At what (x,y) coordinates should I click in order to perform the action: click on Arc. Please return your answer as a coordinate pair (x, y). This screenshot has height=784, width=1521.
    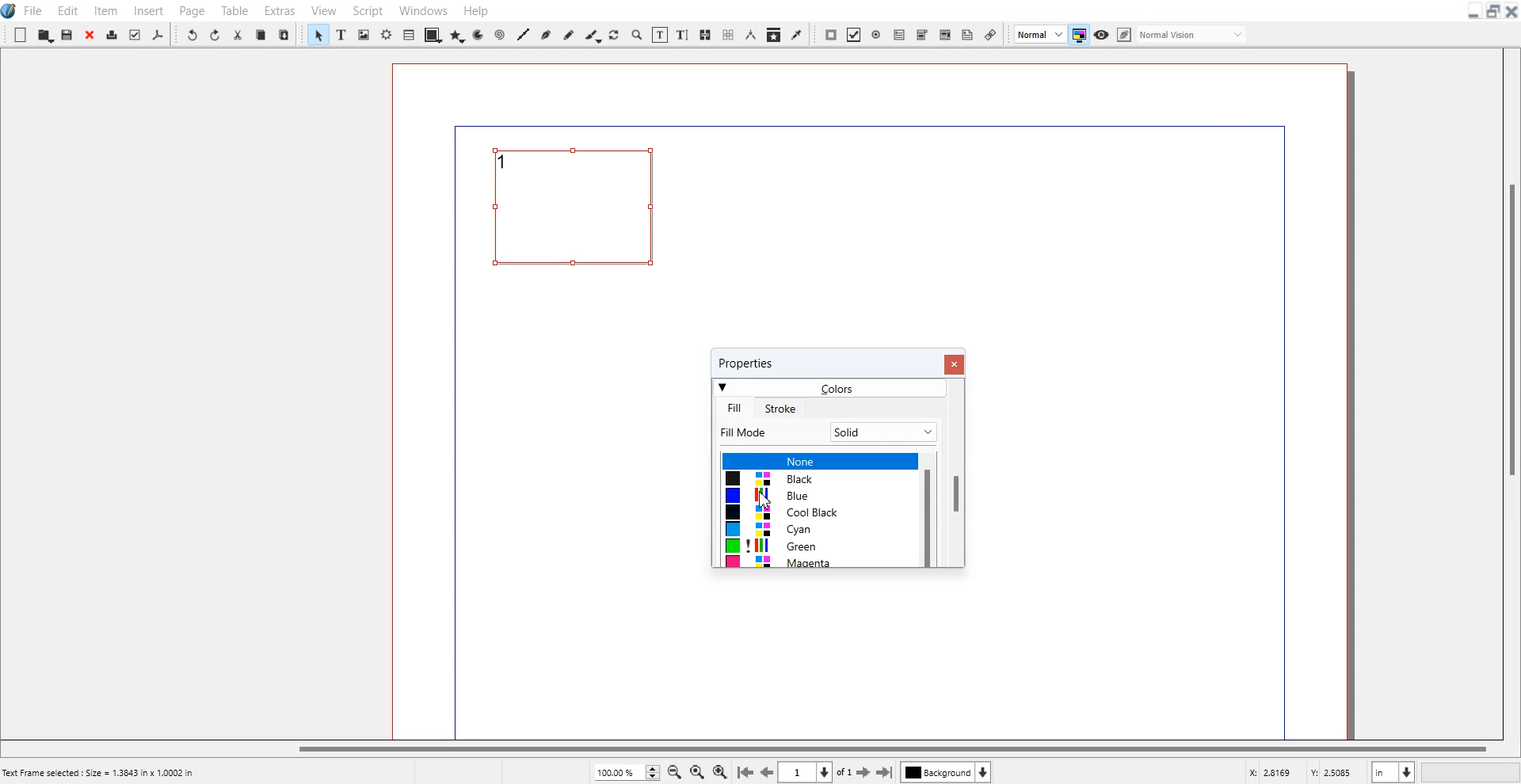
    Looking at the image, I should click on (478, 34).